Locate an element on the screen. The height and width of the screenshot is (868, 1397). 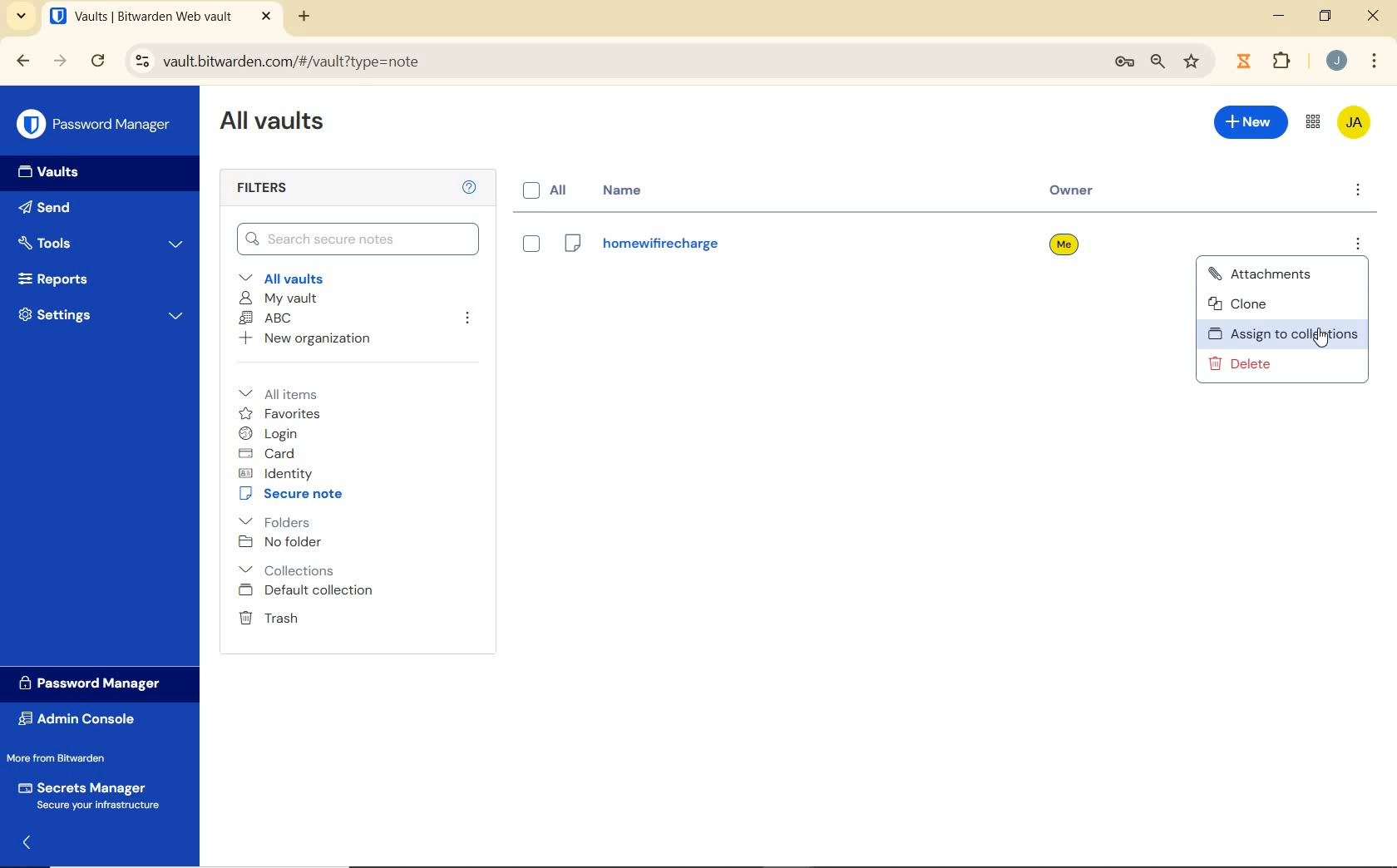
extensions is located at coordinates (1242, 62).